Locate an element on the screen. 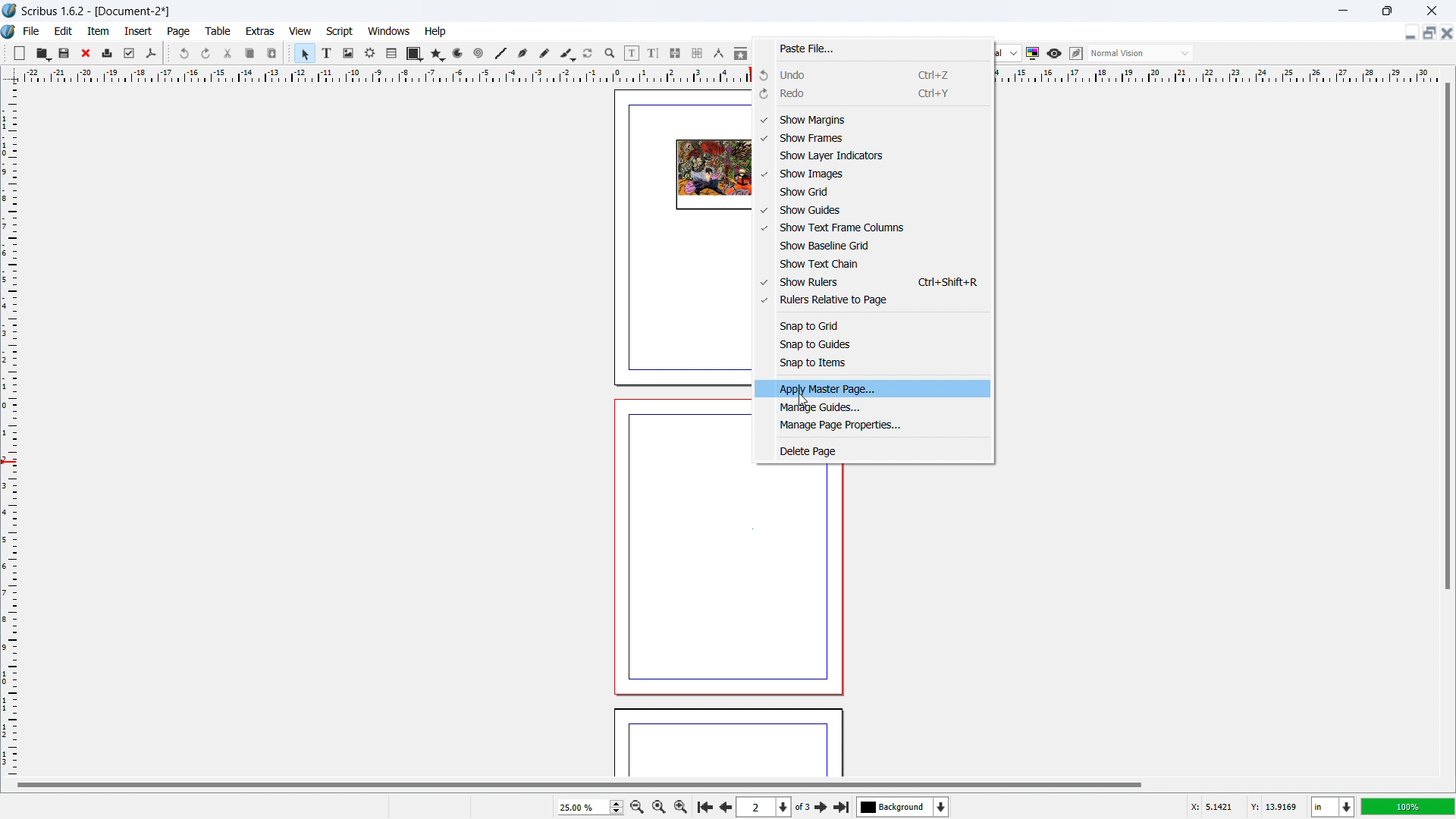 The width and height of the screenshot is (1456, 819). show text frame columns toggle is located at coordinates (874, 227).